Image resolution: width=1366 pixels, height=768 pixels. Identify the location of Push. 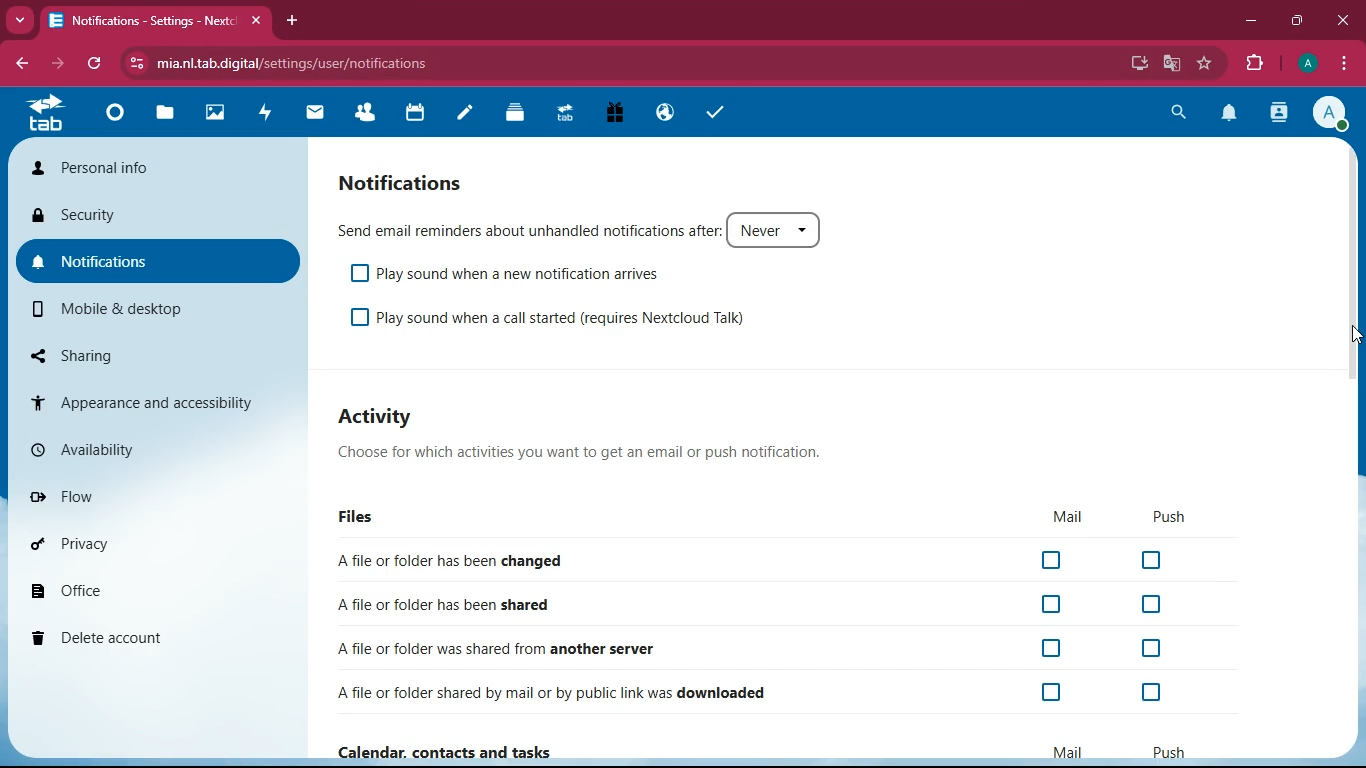
(1172, 755).